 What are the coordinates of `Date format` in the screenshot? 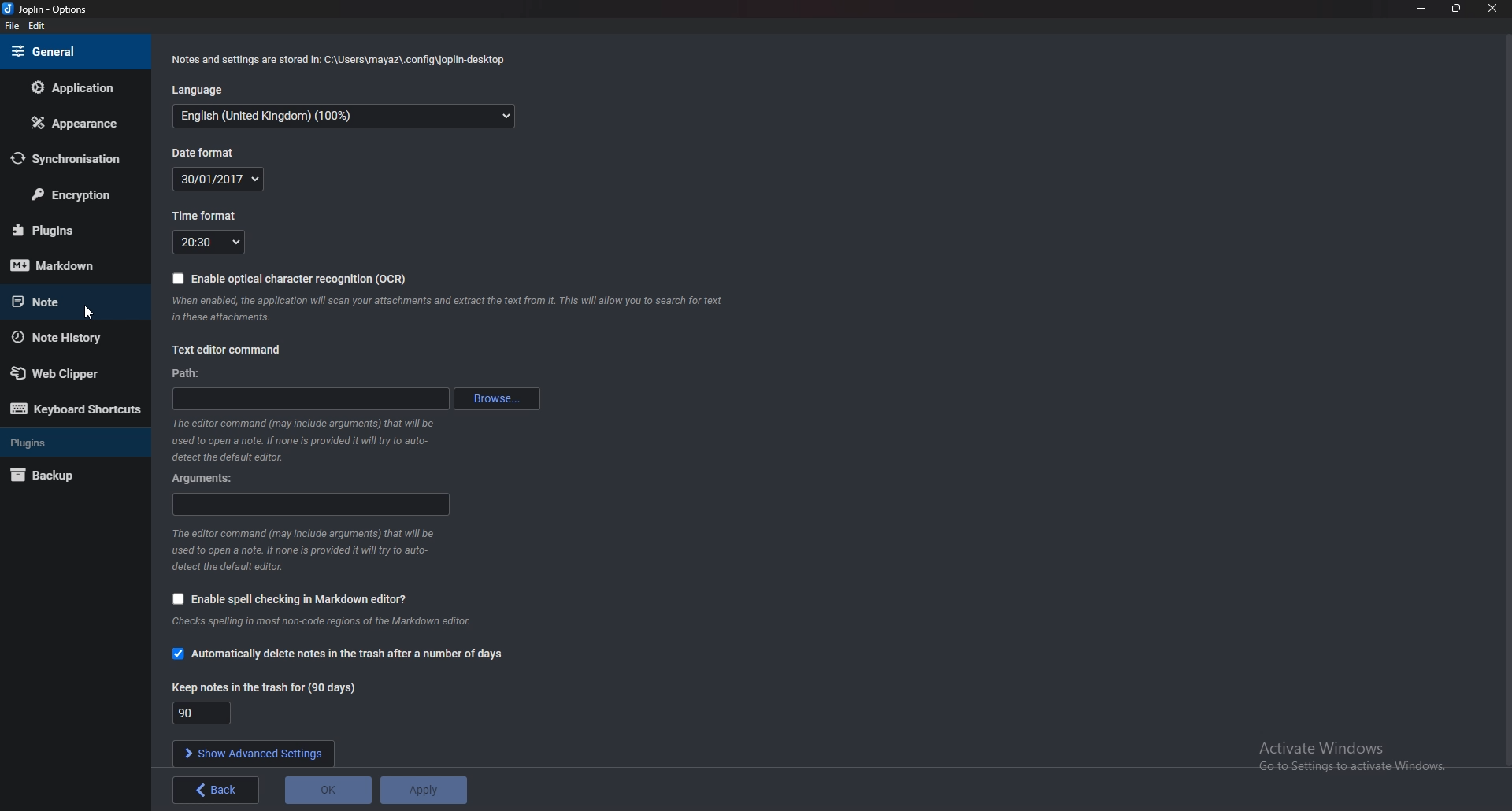 It's located at (225, 180).